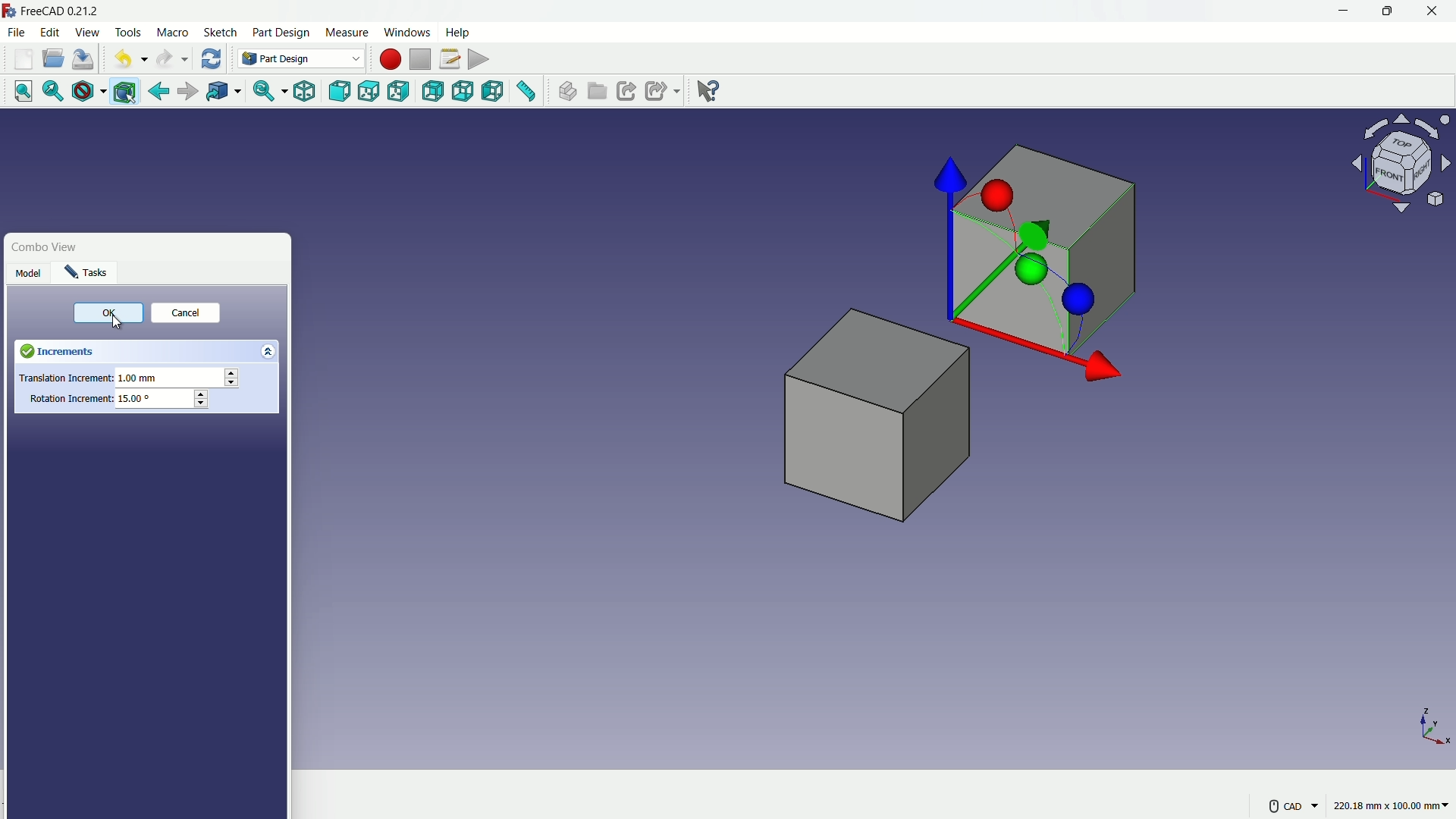 This screenshot has height=819, width=1456. I want to click on execute macros, so click(480, 58).